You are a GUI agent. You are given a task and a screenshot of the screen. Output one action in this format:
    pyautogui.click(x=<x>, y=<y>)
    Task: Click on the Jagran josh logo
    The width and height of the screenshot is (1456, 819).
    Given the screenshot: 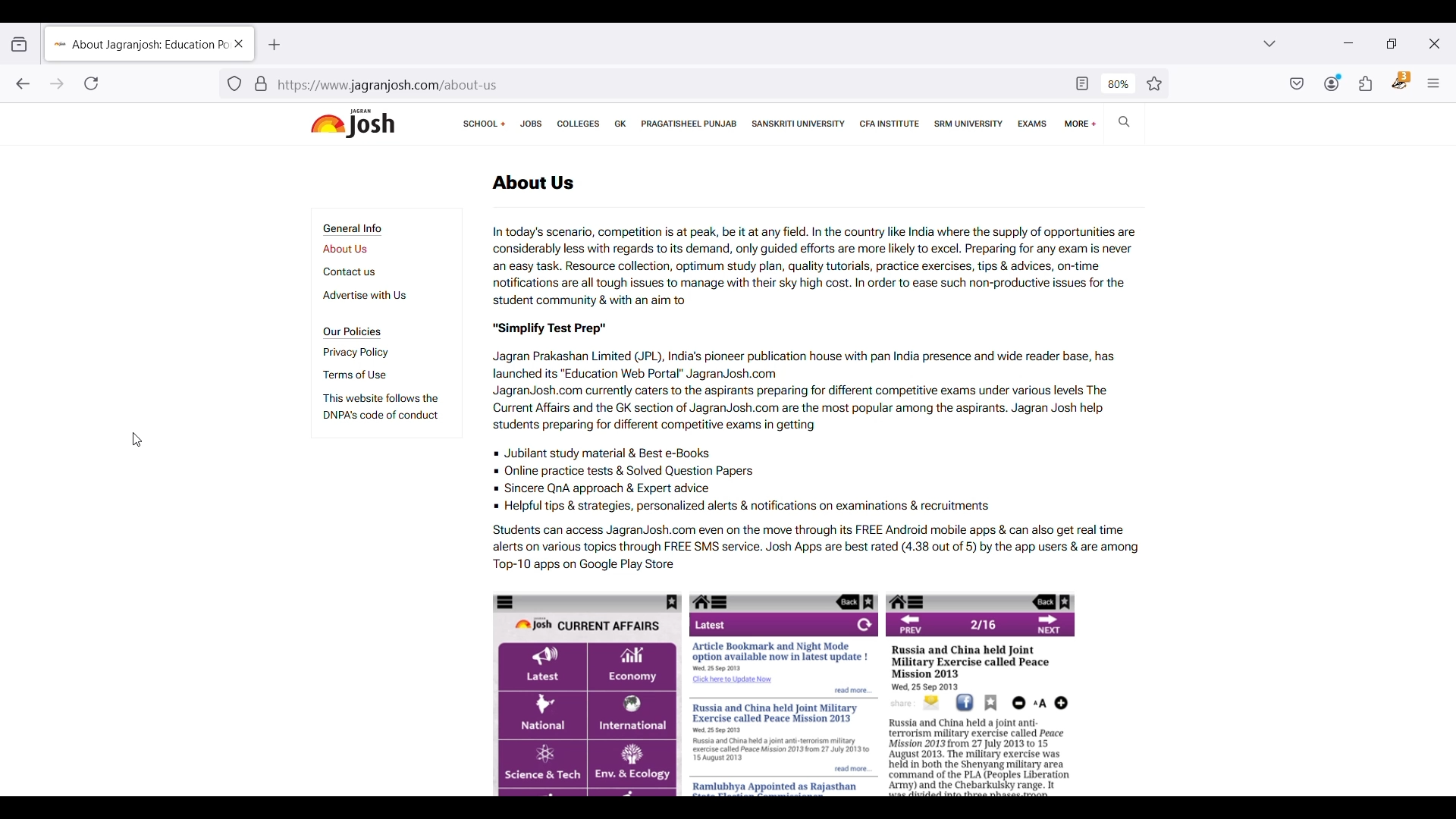 What is the action you would take?
    pyautogui.click(x=353, y=124)
    